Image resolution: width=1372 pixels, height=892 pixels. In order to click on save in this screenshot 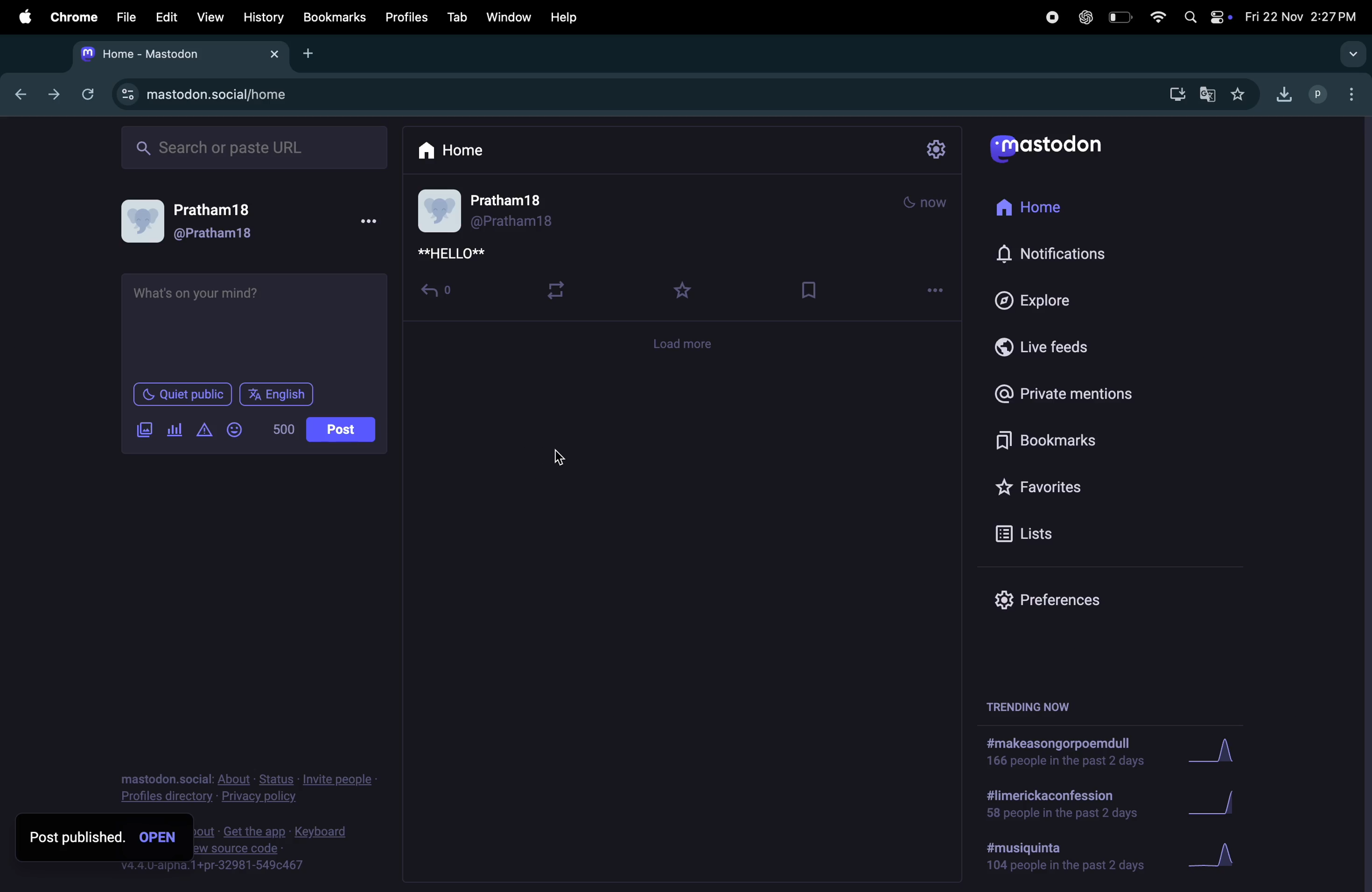, I will do `click(817, 292)`.